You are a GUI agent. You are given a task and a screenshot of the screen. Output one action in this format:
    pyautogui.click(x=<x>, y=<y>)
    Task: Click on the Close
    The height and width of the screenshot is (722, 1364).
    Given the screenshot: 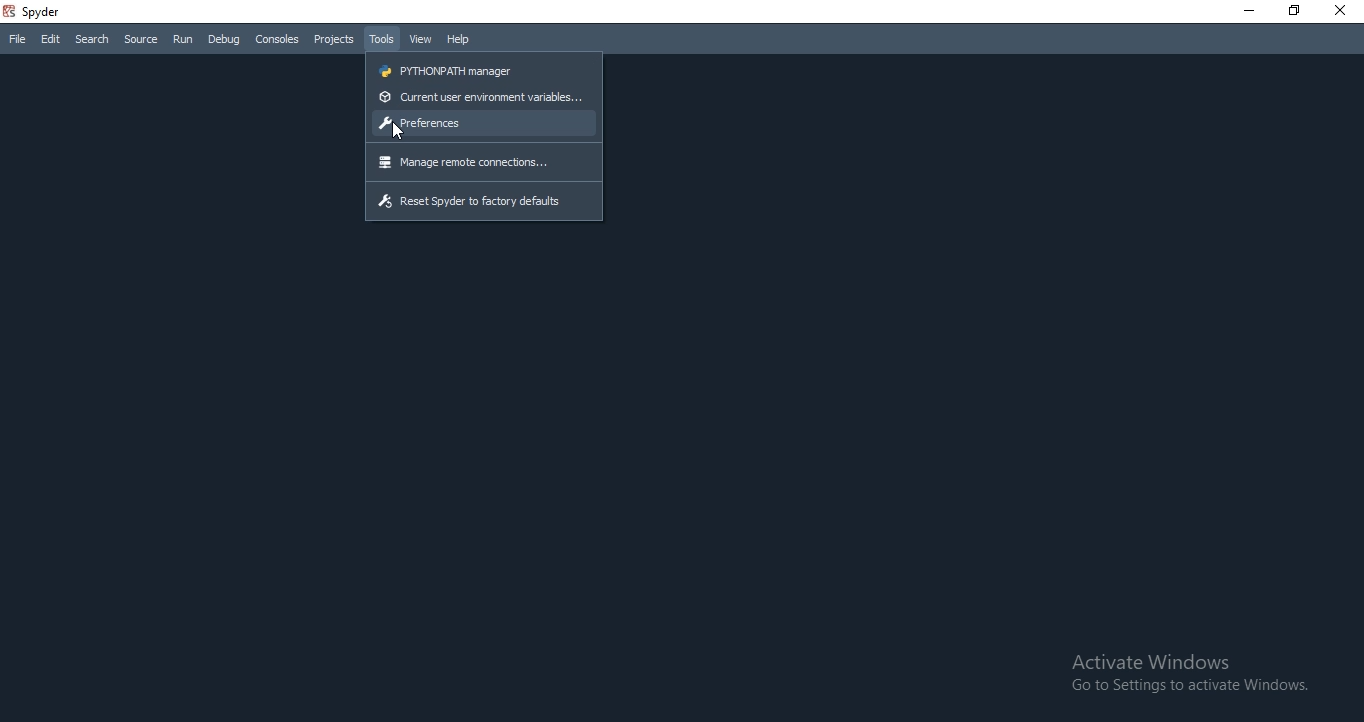 What is the action you would take?
    pyautogui.click(x=1344, y=11)
    